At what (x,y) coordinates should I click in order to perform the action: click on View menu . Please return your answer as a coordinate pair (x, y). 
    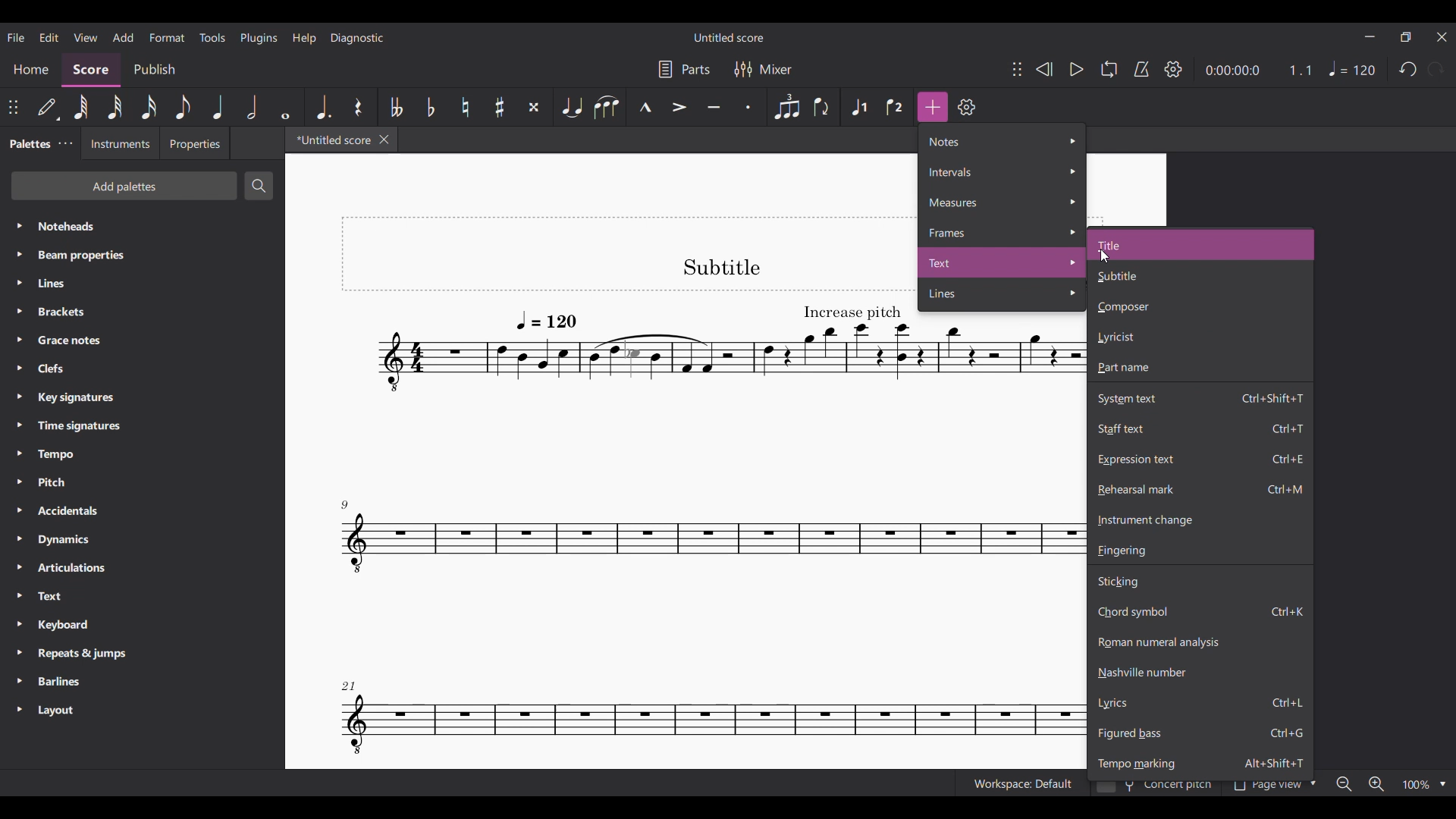
    Looking at the image, I should click on (86, 37).